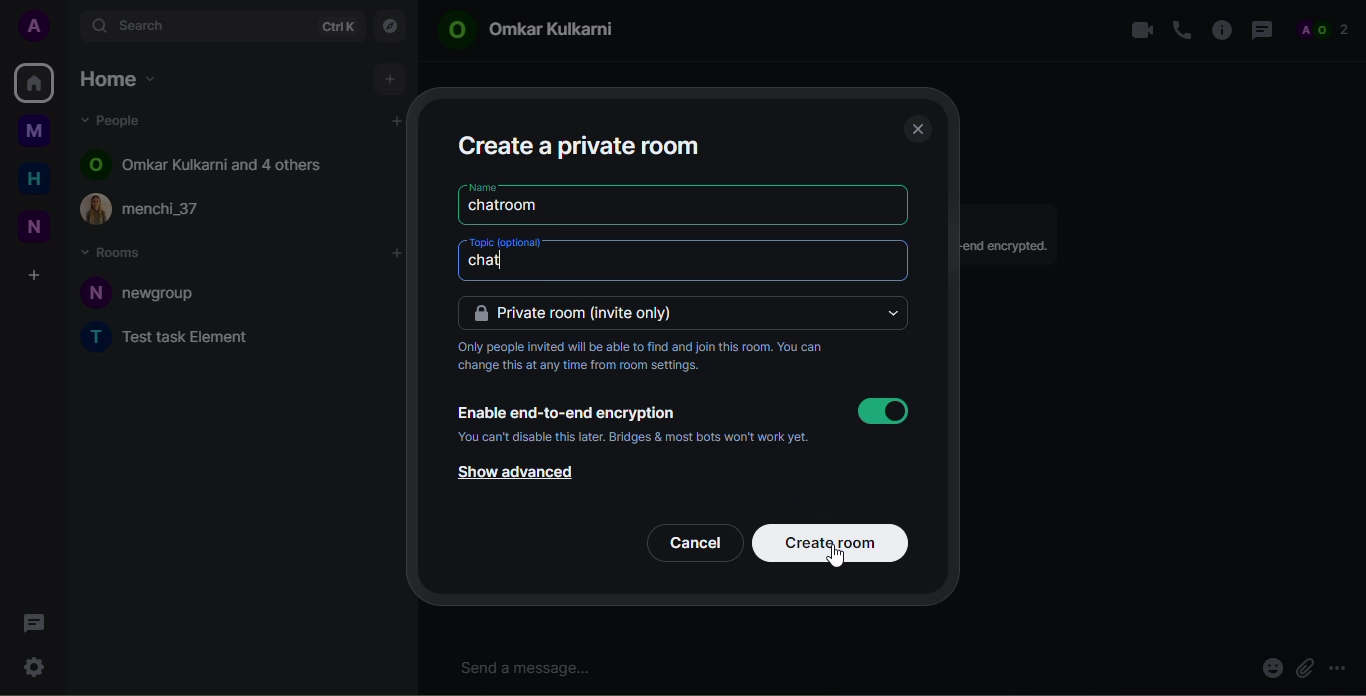 The height and width of the screenshot is (696, 1366). Describe the element at coordinates (836, 560) in the screenshot. I see `cursor` at that location.